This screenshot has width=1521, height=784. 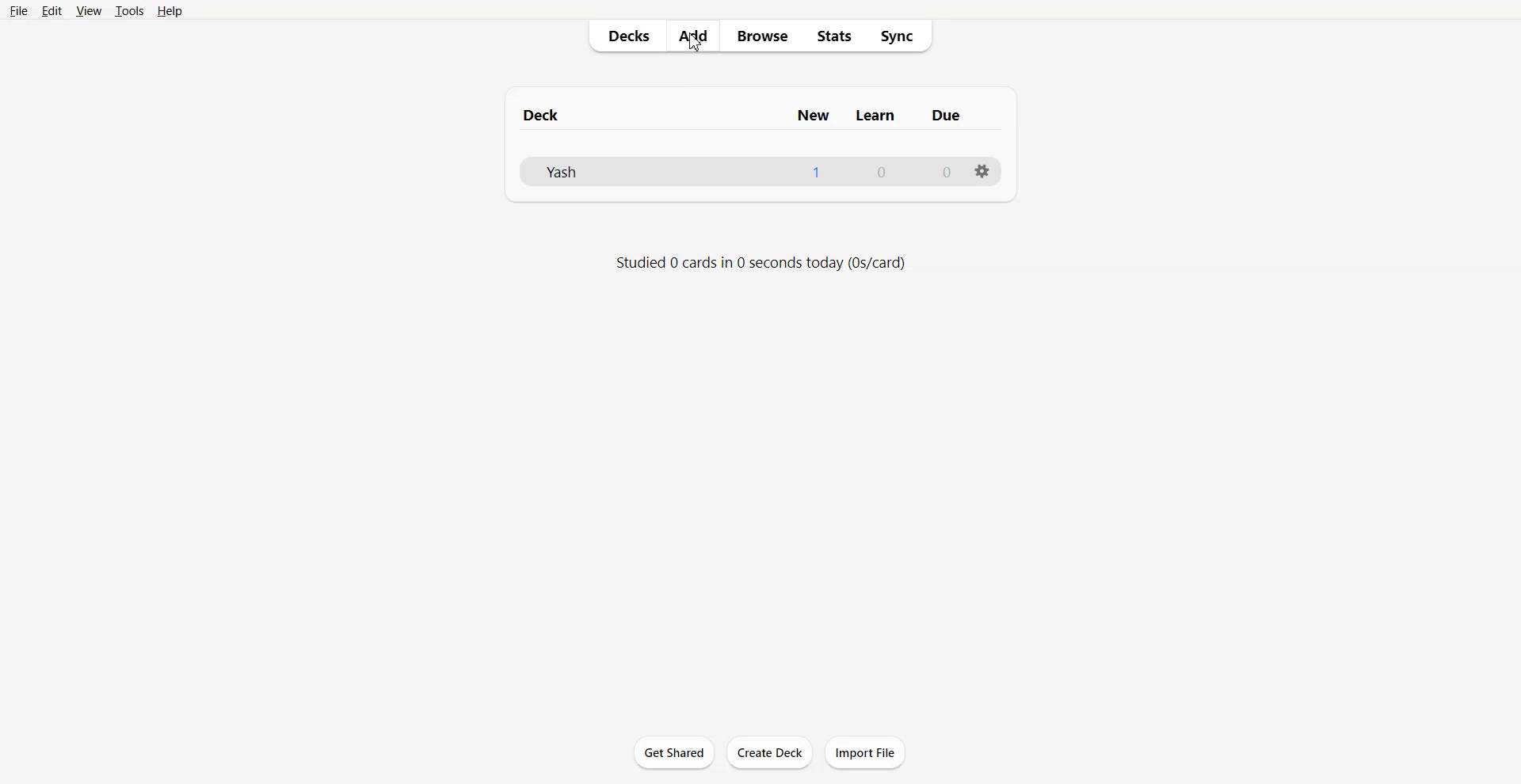 What do you see at coordinates (54, 11) in the screenshot?
I see `Edit` at bounding box center [54, 11].